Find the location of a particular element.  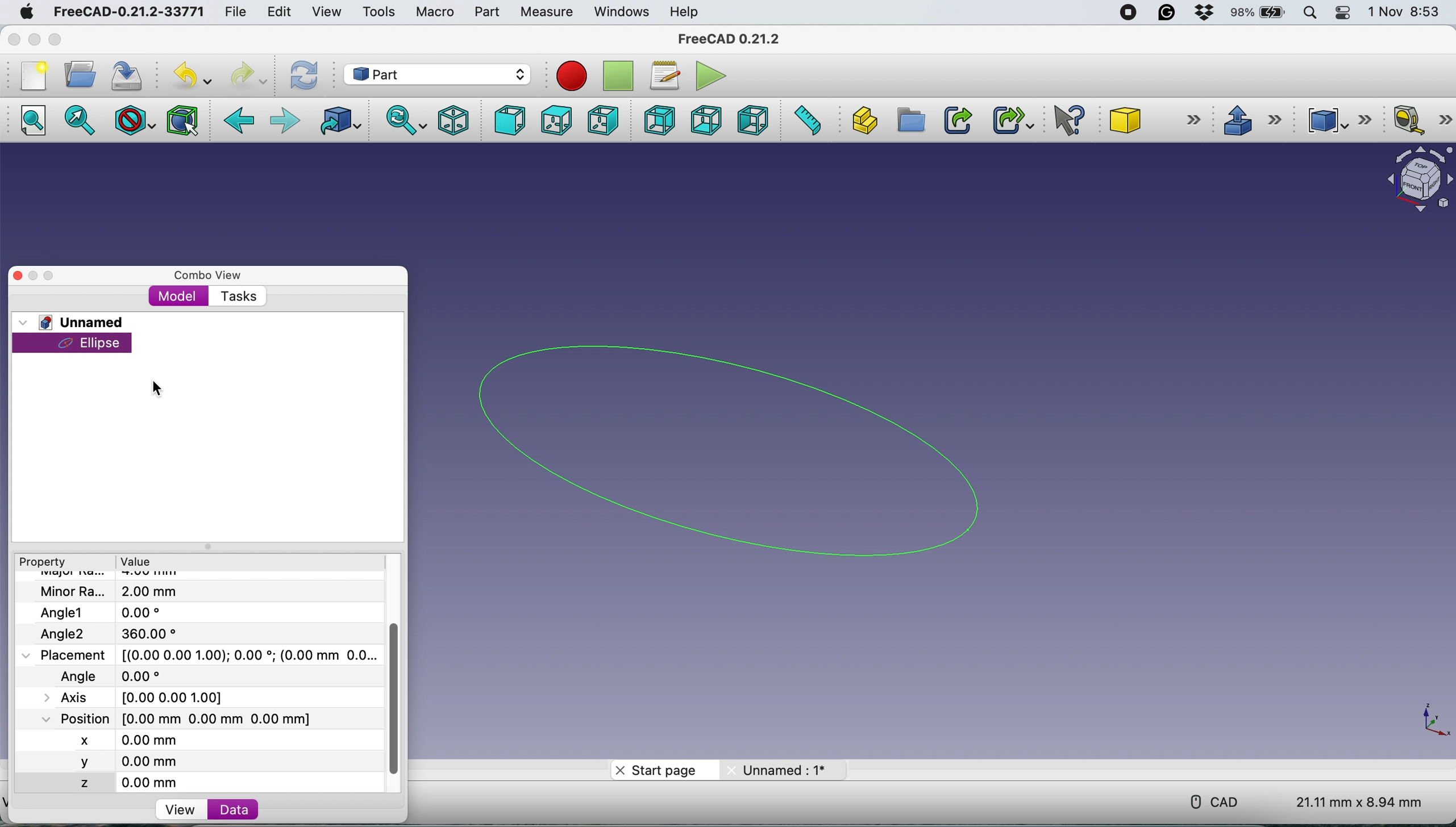

Angle1 is located at coordinates (103, 612).